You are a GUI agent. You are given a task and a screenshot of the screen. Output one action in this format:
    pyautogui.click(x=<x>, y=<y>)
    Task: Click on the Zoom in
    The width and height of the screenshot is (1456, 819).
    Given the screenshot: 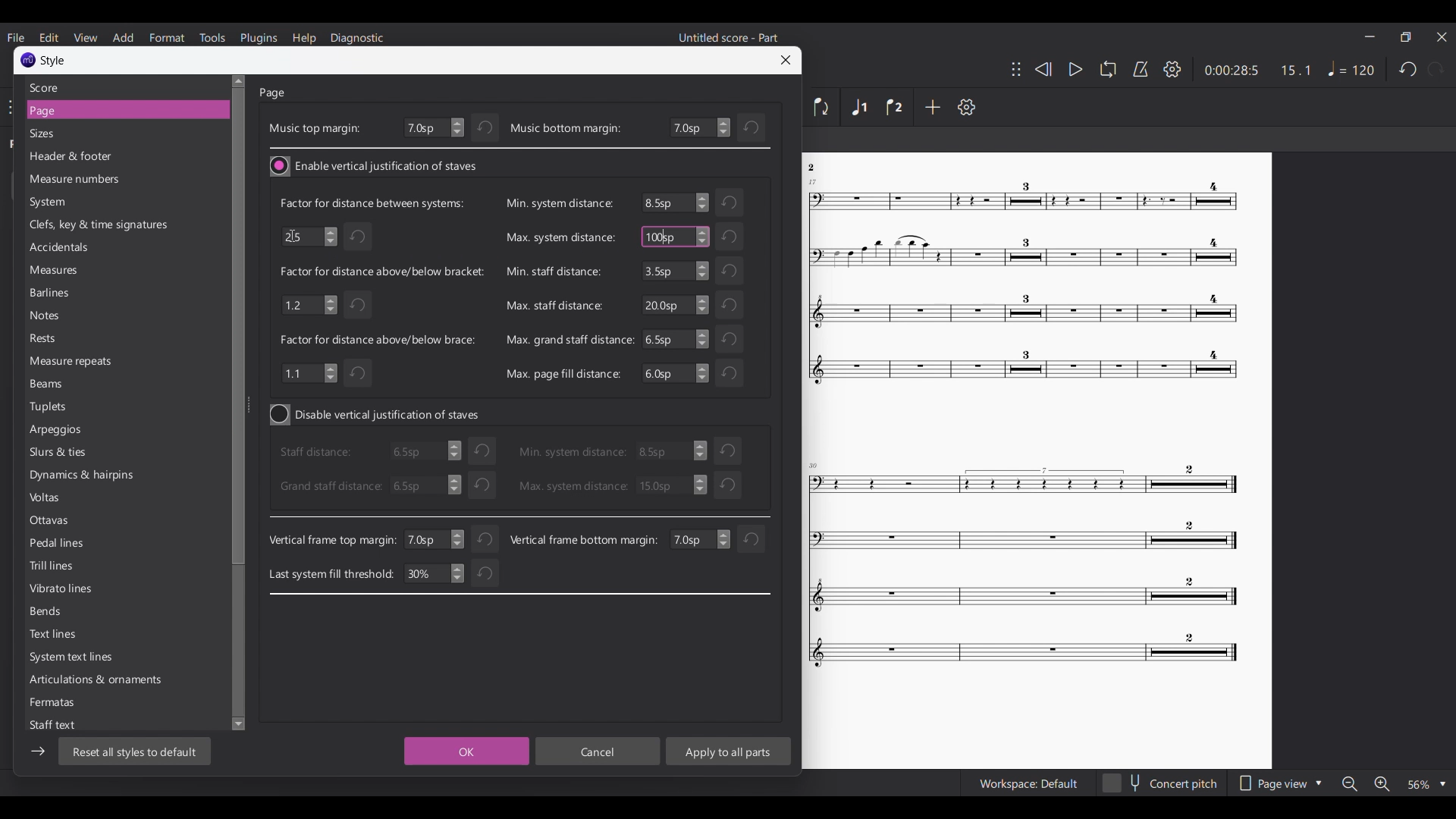 What is the action you would take?
    pyautogui.click(x=1382, y=784)
    